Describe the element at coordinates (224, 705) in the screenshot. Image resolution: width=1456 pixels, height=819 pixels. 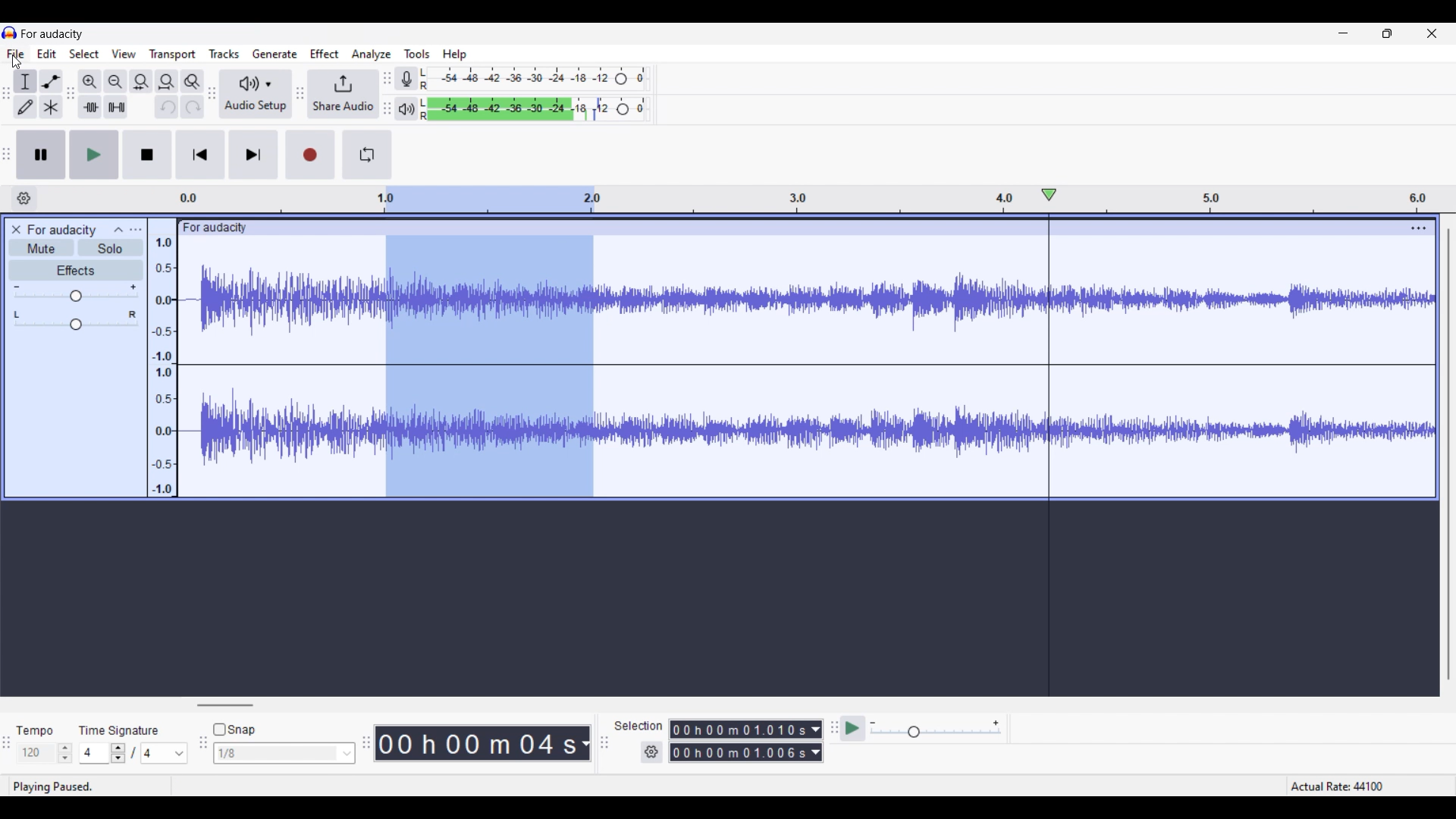
I see `Horizontal slide bar` at that location.